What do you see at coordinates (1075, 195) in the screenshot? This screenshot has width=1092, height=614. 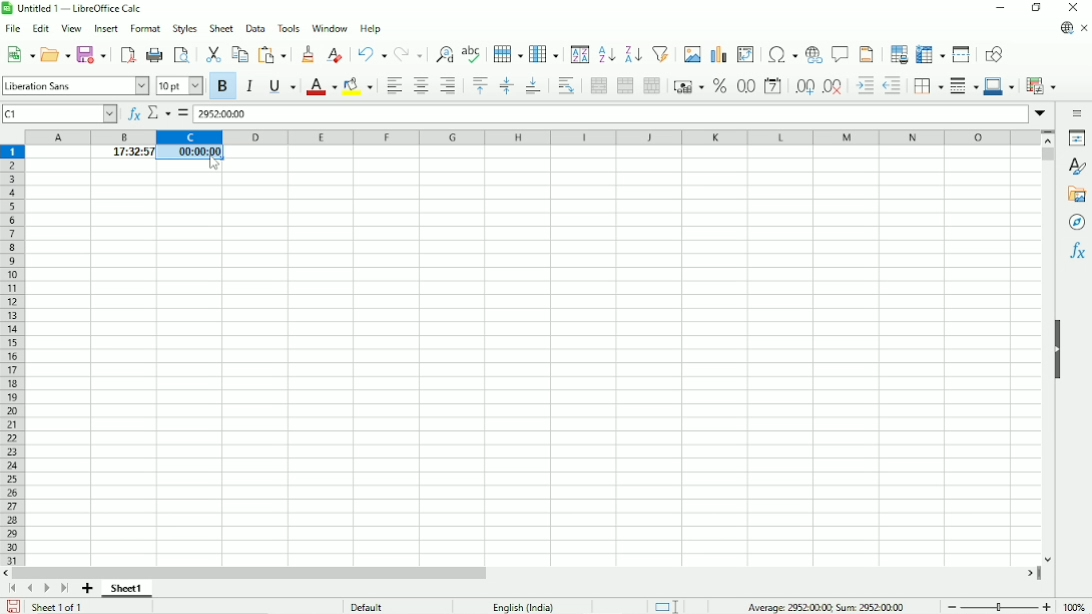 I see `Gallery` at bounding box center [1075, 195].